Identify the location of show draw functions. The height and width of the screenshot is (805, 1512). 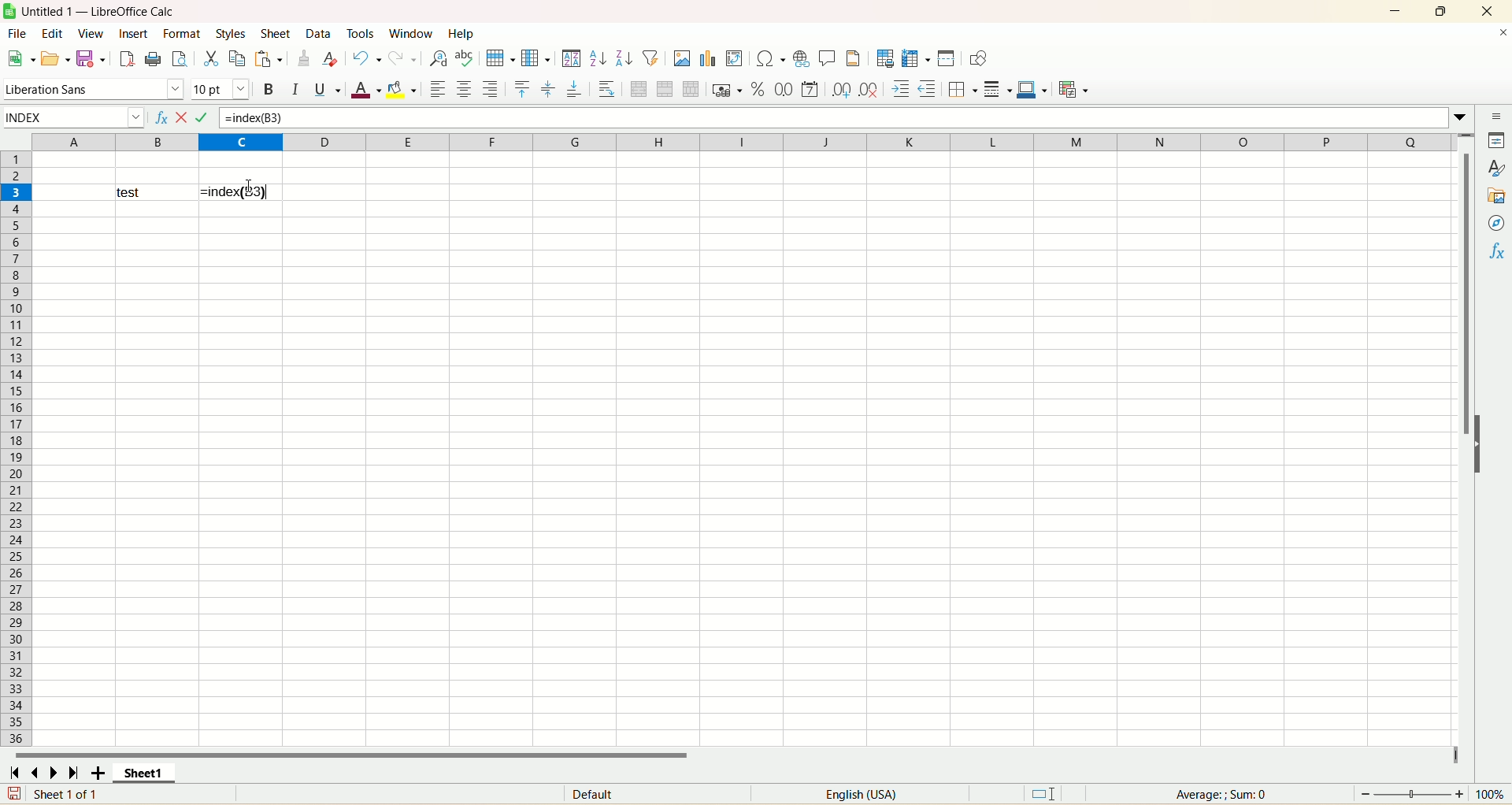
(978, 58).